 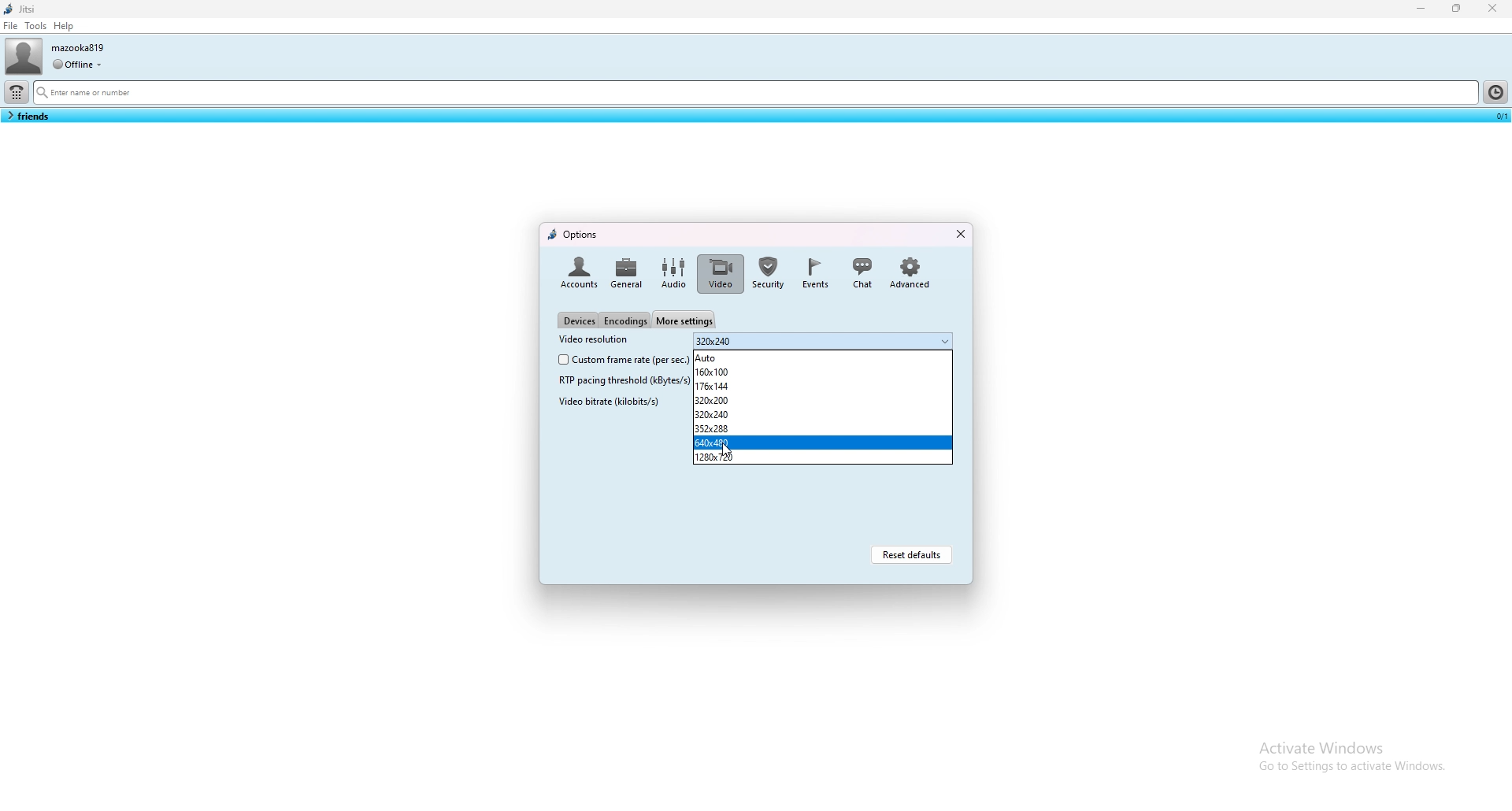 I want to click on Events, so click(x=815, y=272).